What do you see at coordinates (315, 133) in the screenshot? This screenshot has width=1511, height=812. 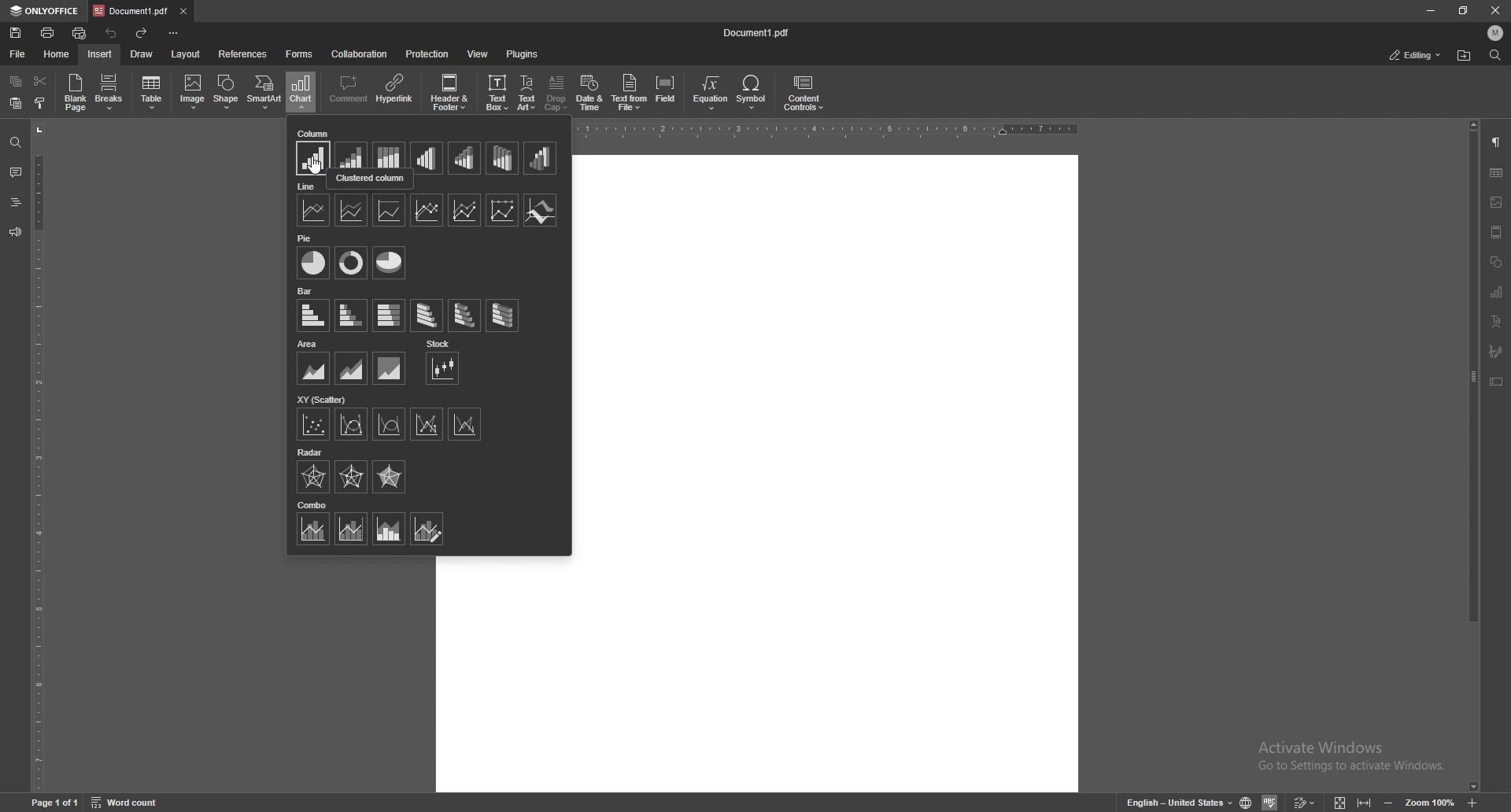 I see `column ` at bounding box center [315, 133].